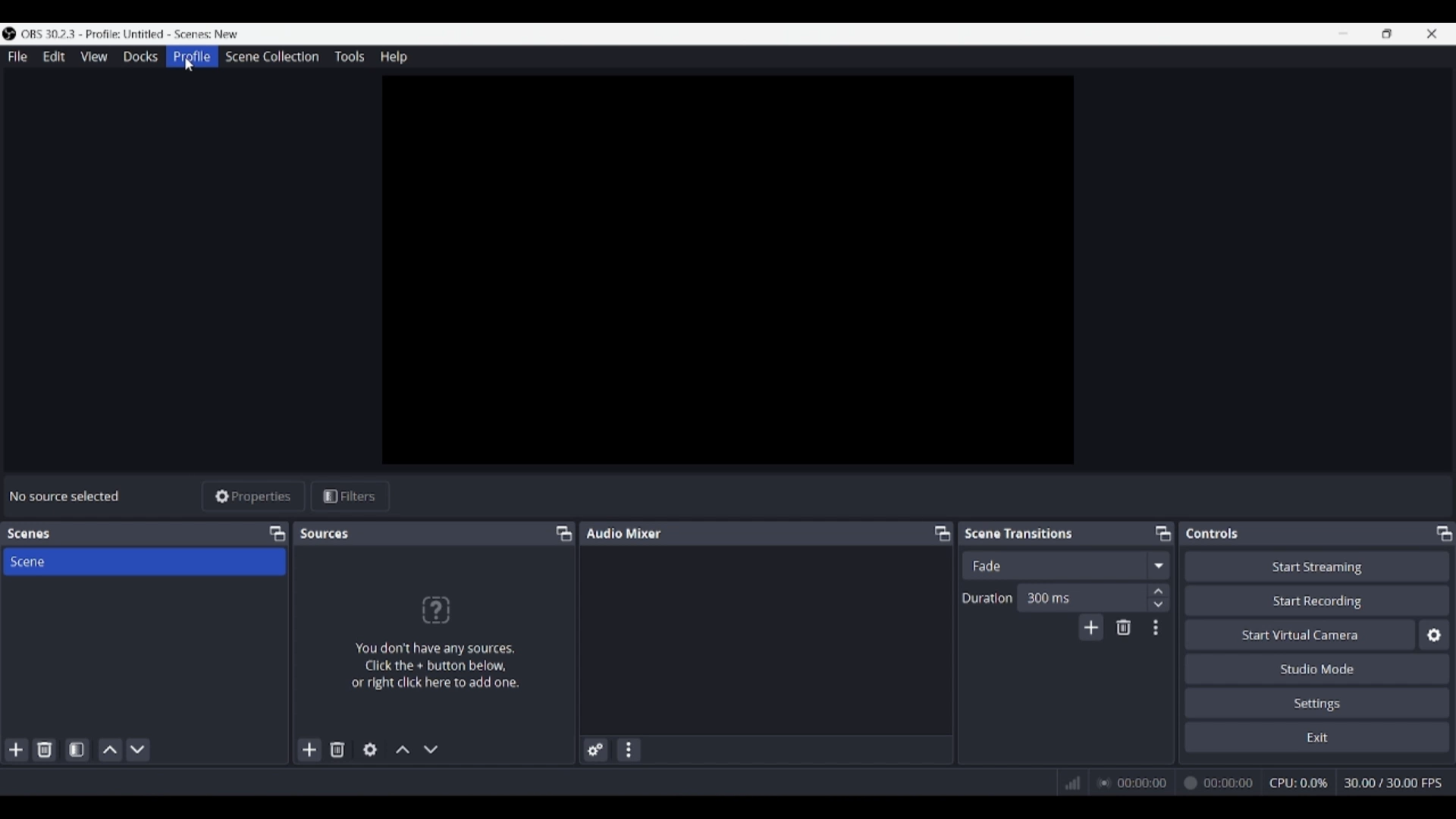  I want to click on Move source down, so click(431, 749).